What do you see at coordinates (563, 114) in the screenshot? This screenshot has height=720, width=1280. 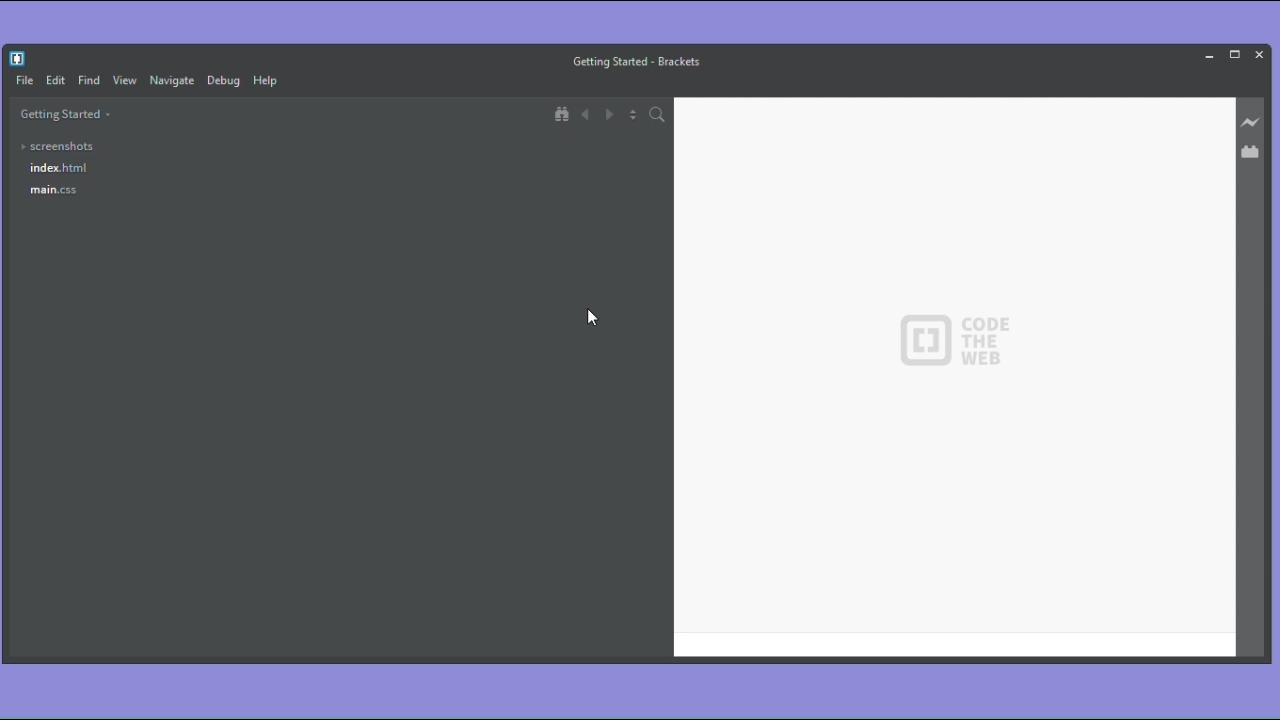 I see `Show in file tree` at bounding box center [563, 114].